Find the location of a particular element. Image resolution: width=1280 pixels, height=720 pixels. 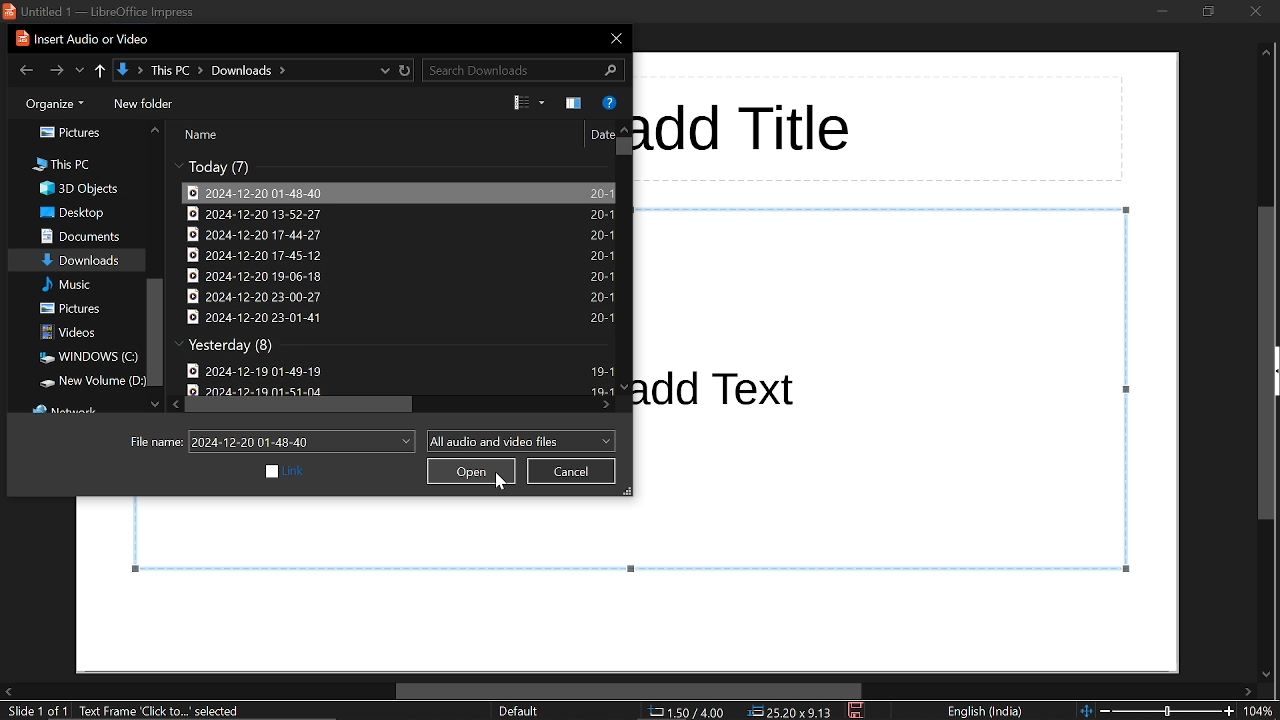

text fame "click to" selected is located at coordinates (162, 712).